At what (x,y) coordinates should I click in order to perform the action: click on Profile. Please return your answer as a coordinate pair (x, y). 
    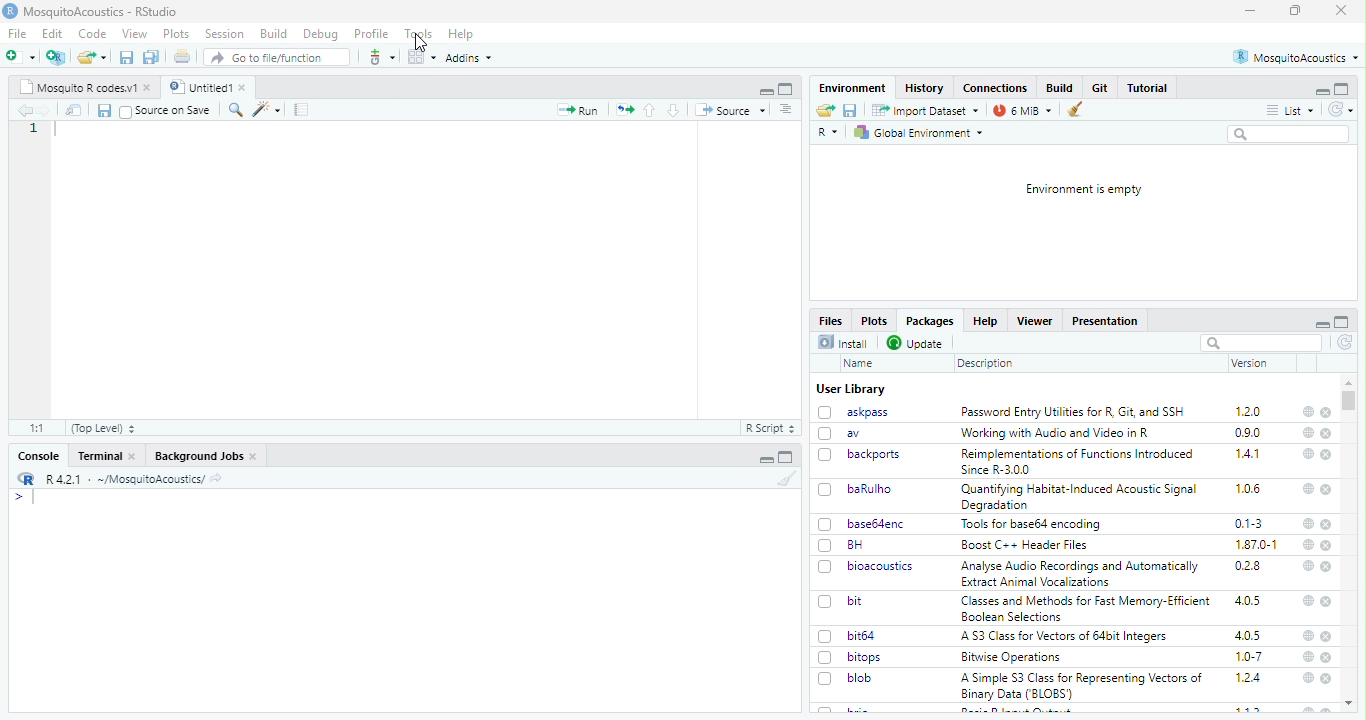
    Looking at the image, I should click on (373, 34).